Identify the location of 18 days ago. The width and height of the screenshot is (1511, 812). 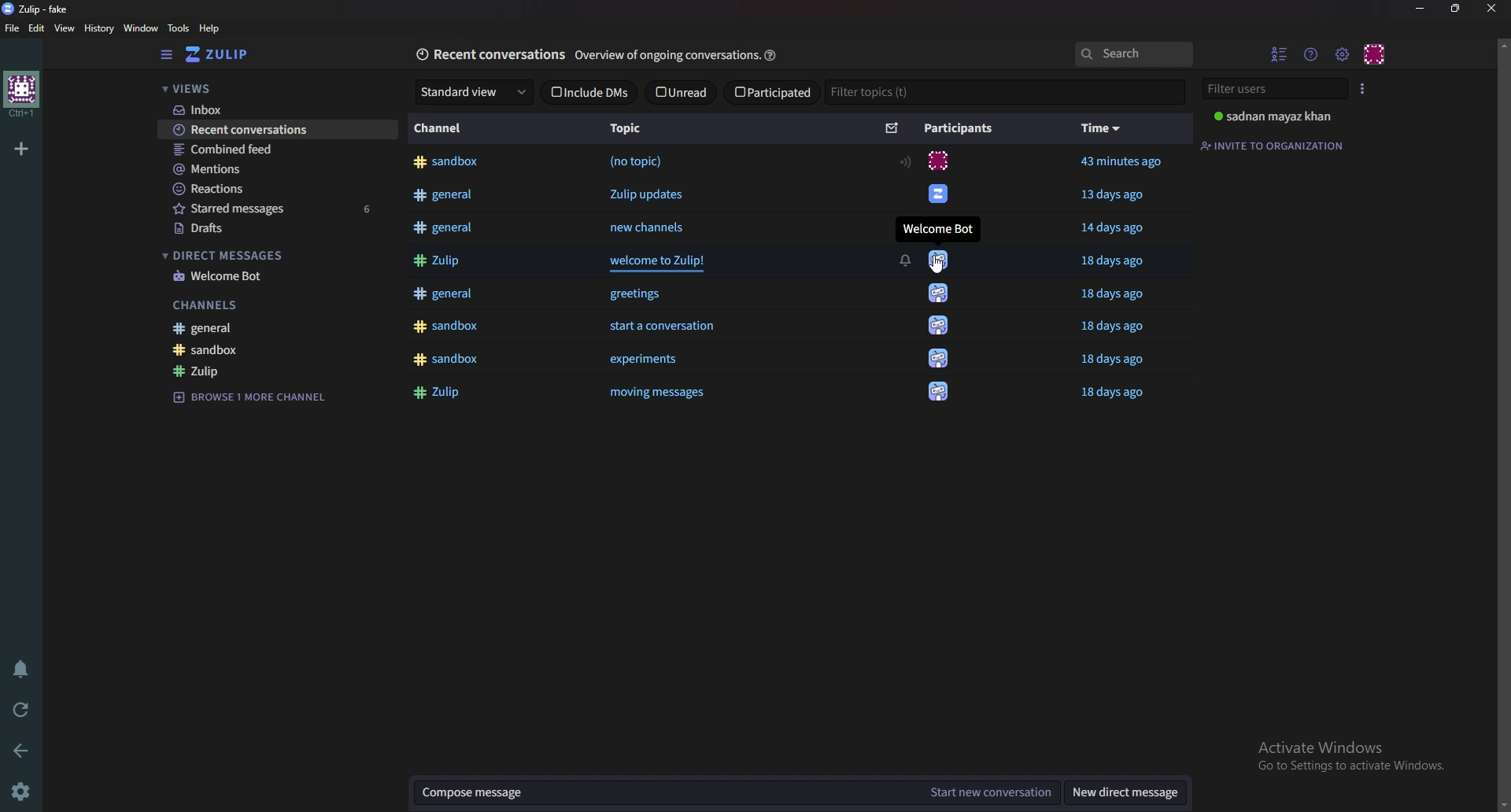
(1117, 395).